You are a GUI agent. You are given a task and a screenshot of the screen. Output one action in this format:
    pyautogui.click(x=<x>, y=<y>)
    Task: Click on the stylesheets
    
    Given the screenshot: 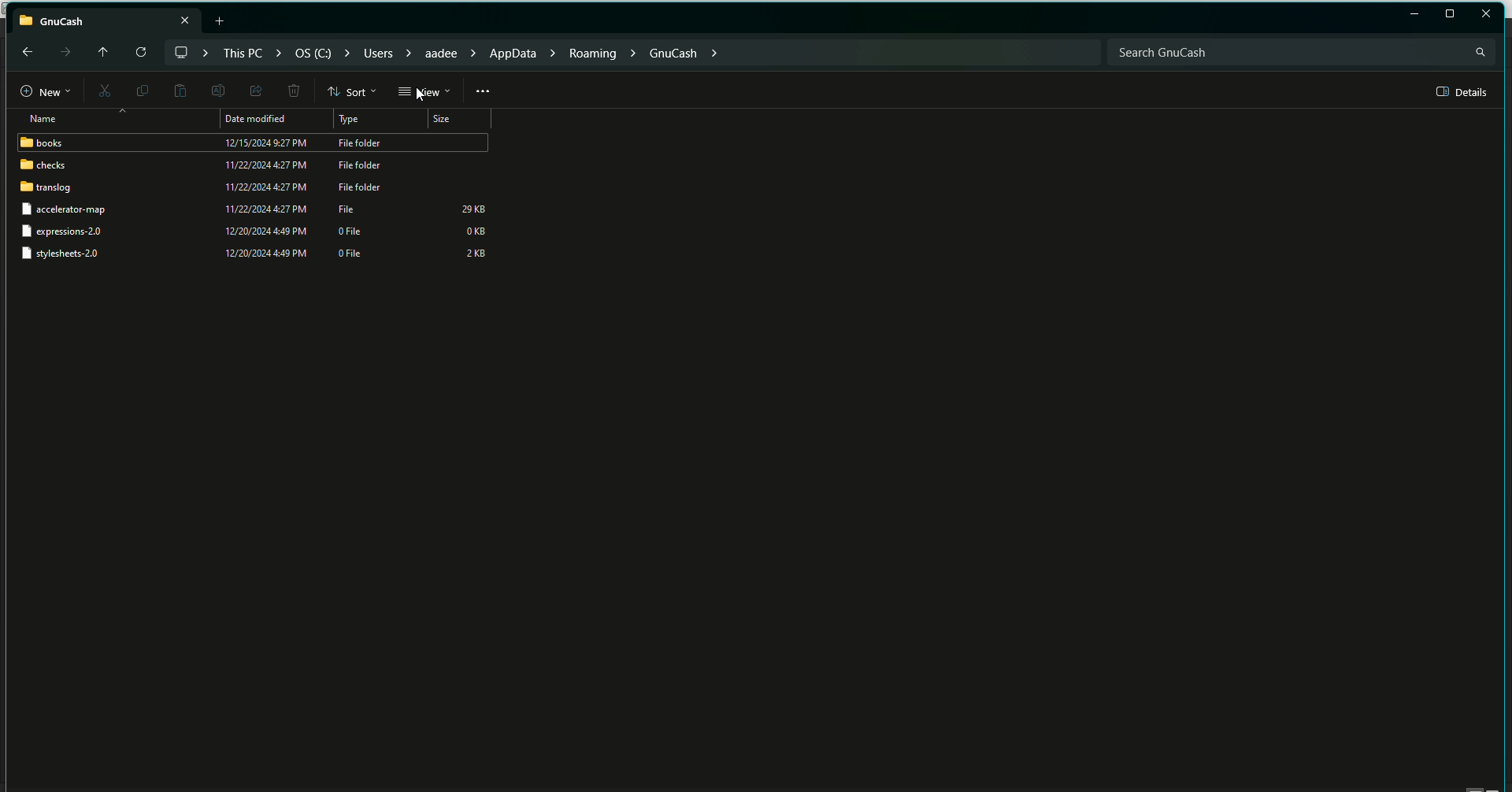 What is the action you would take?
    pyautogui.click(x=67, y=255)
    